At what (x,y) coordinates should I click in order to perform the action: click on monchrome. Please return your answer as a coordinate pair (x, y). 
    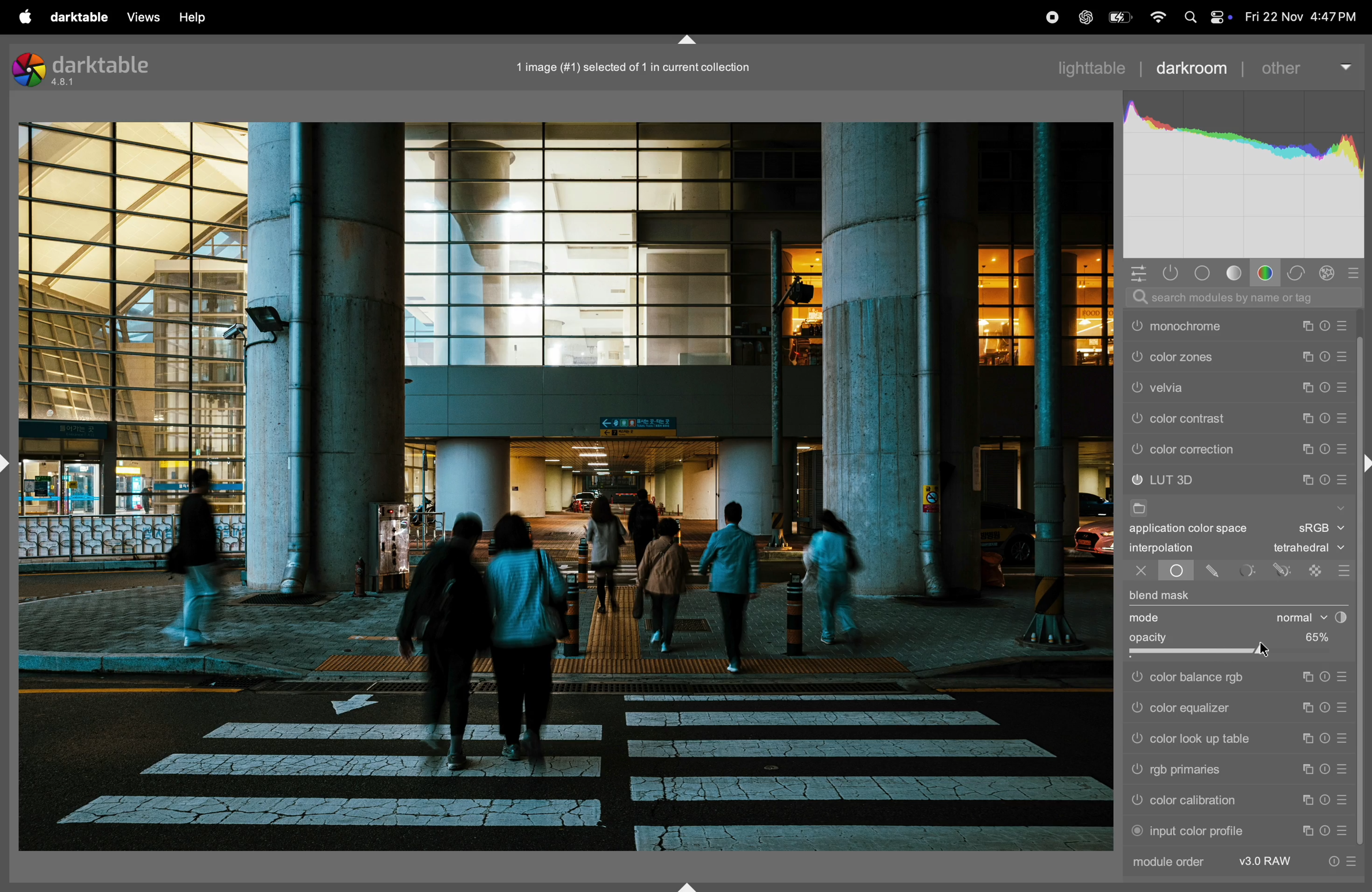
    Looking at the image, I should click on (1217, 356).